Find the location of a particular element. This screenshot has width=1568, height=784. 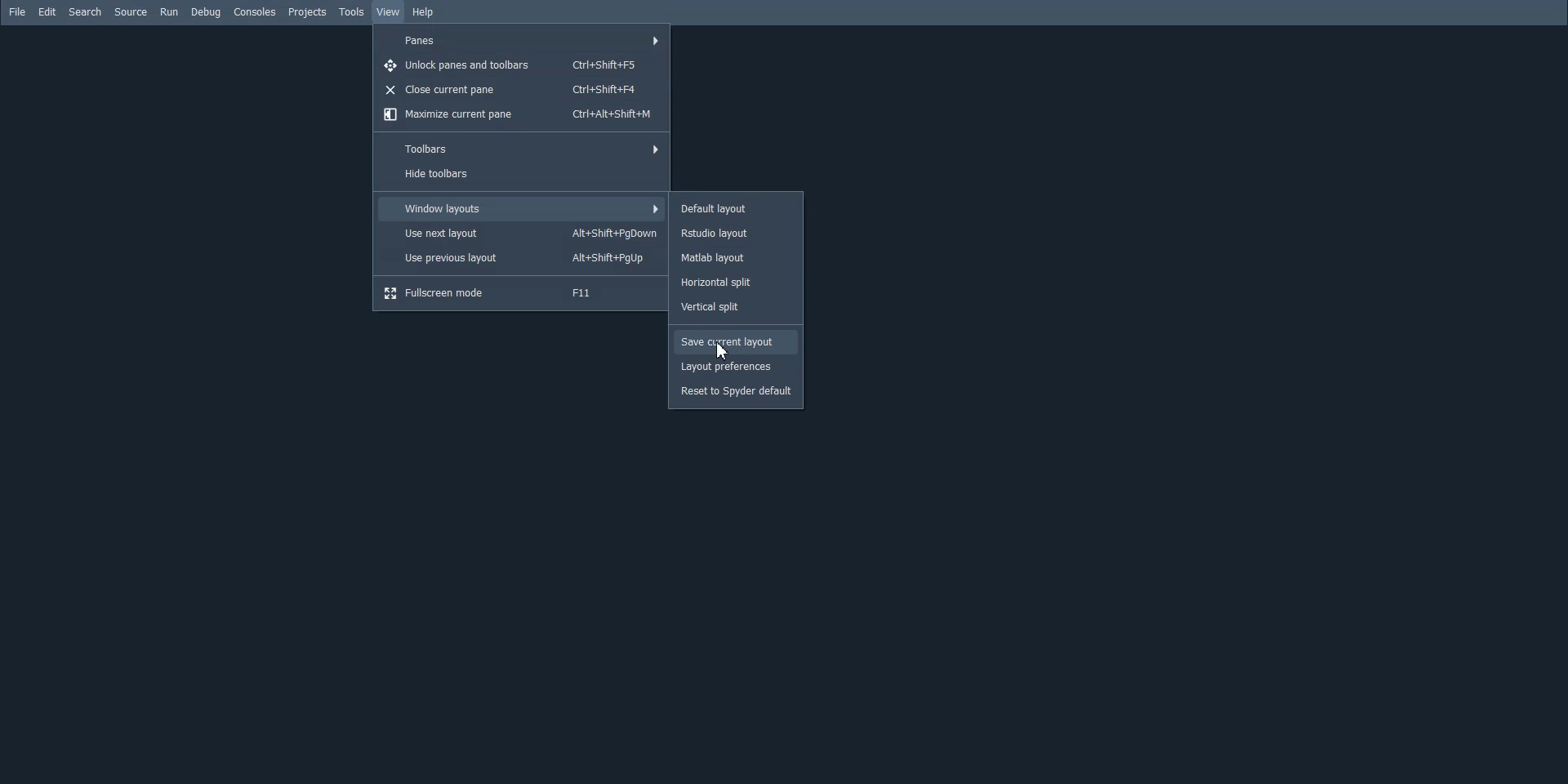

Use Previous layout is located at coordinates (519, 258).